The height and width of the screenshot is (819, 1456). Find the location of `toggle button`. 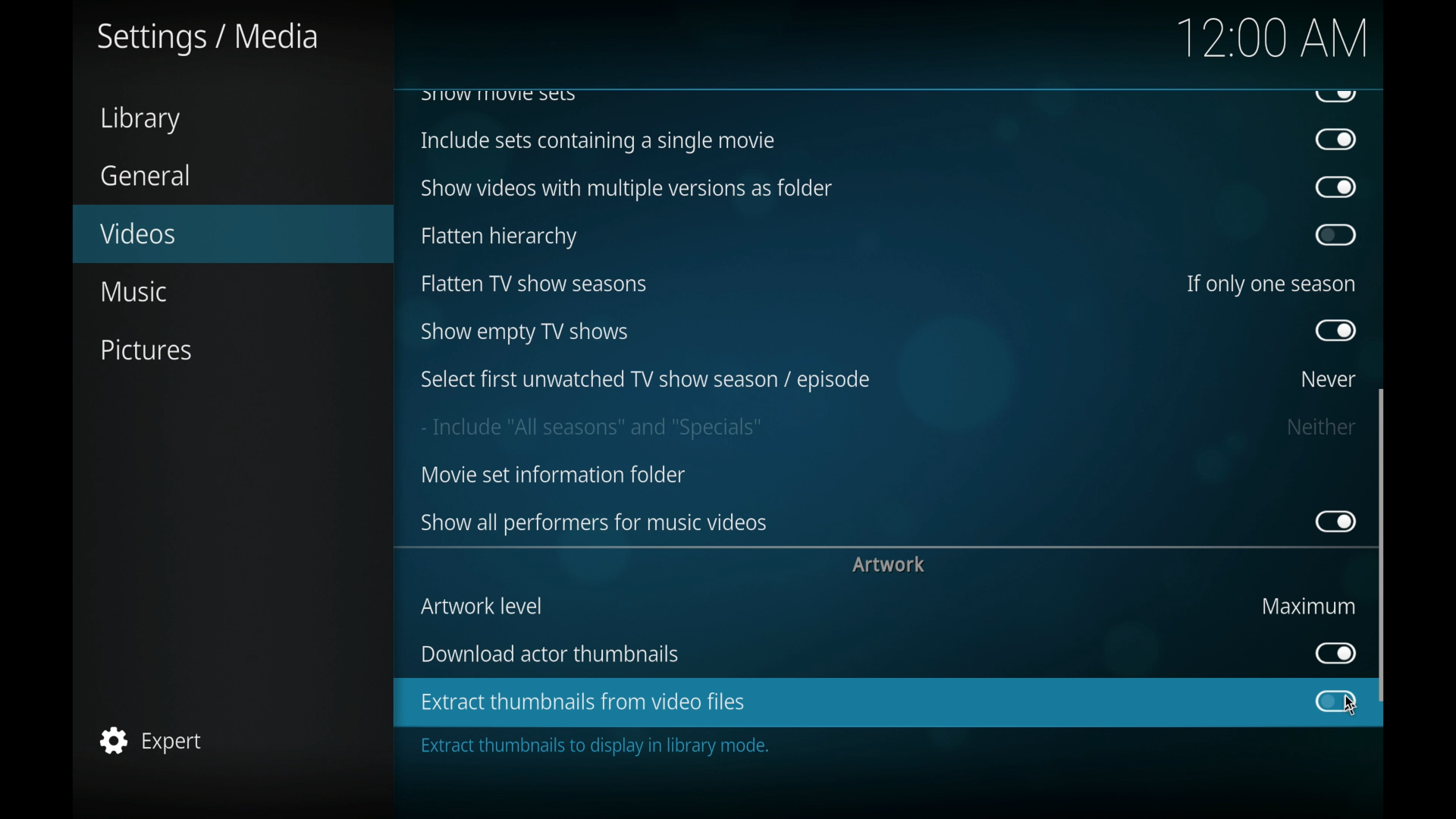

toggle button is located at coordinates (1337, 235).